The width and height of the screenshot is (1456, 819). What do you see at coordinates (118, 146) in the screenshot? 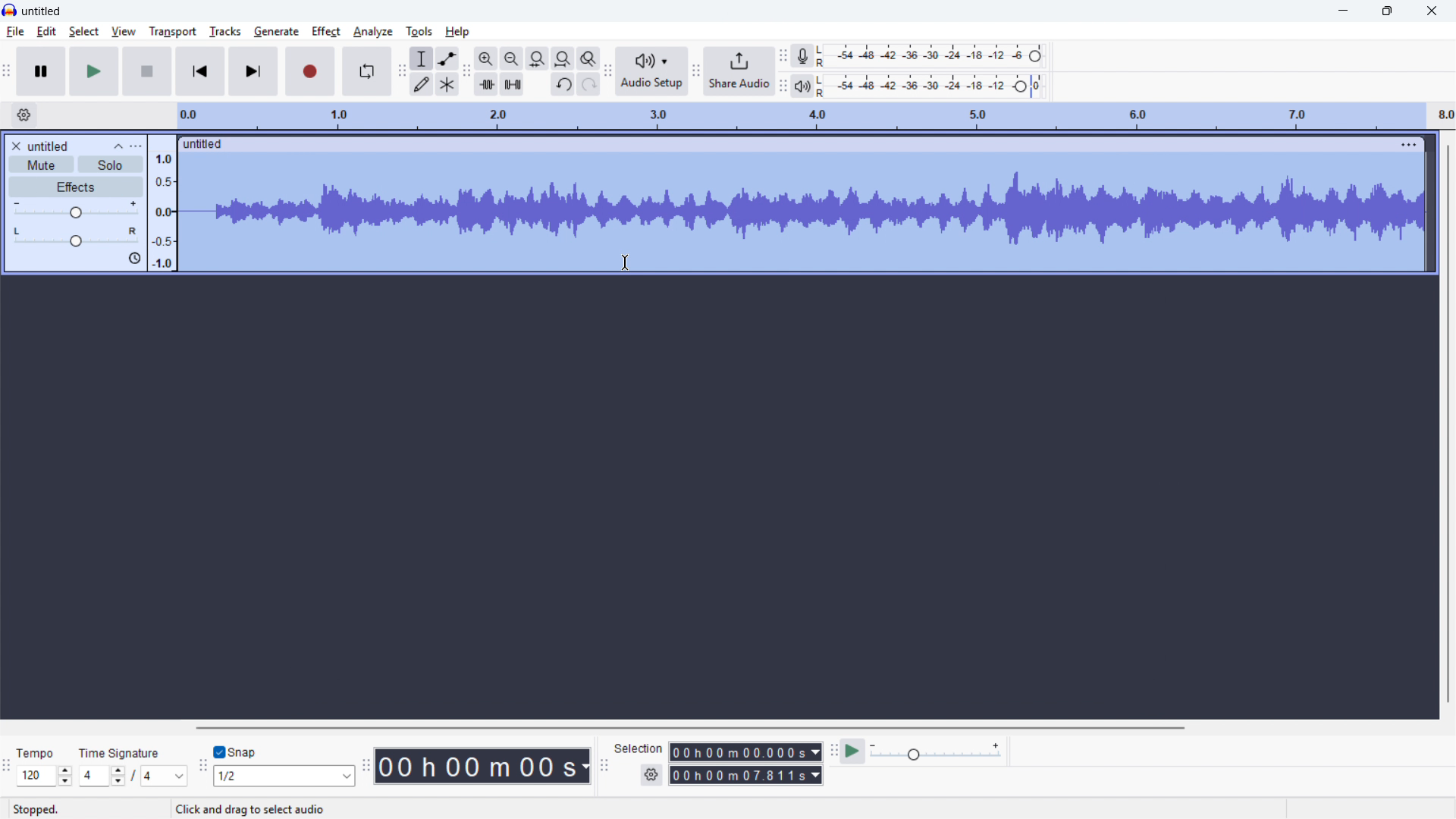
I see `collapse` at bounding box center [118, 146].